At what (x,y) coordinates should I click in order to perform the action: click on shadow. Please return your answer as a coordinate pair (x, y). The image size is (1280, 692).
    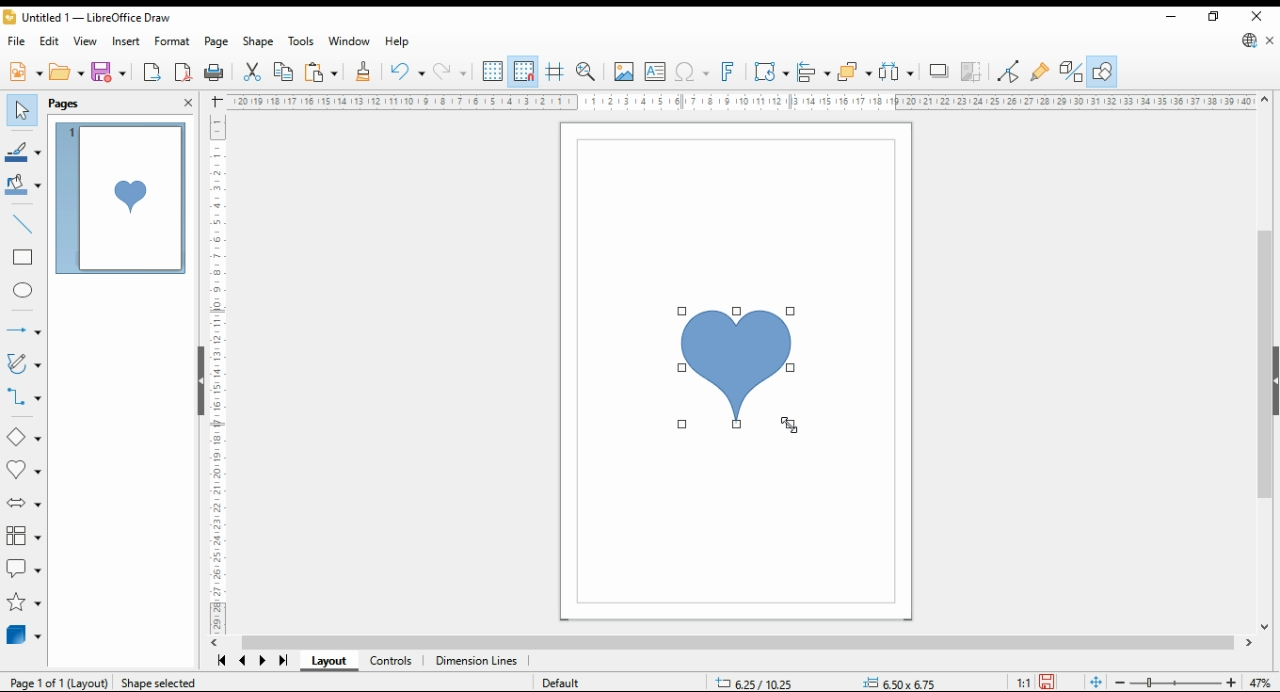
    Looking at the image, I should click on (938, 71).